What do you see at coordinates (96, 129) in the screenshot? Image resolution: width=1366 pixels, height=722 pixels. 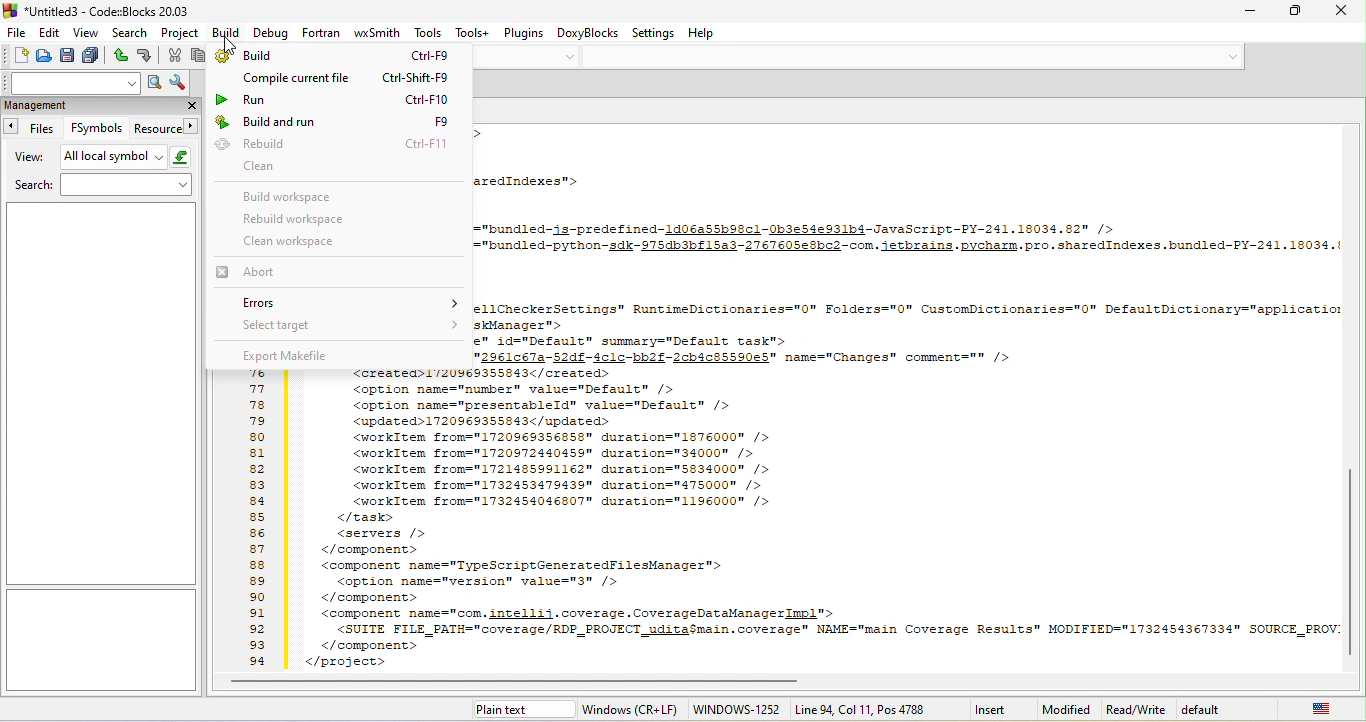 I see `fsymbols` at bounding box center [96, 129].